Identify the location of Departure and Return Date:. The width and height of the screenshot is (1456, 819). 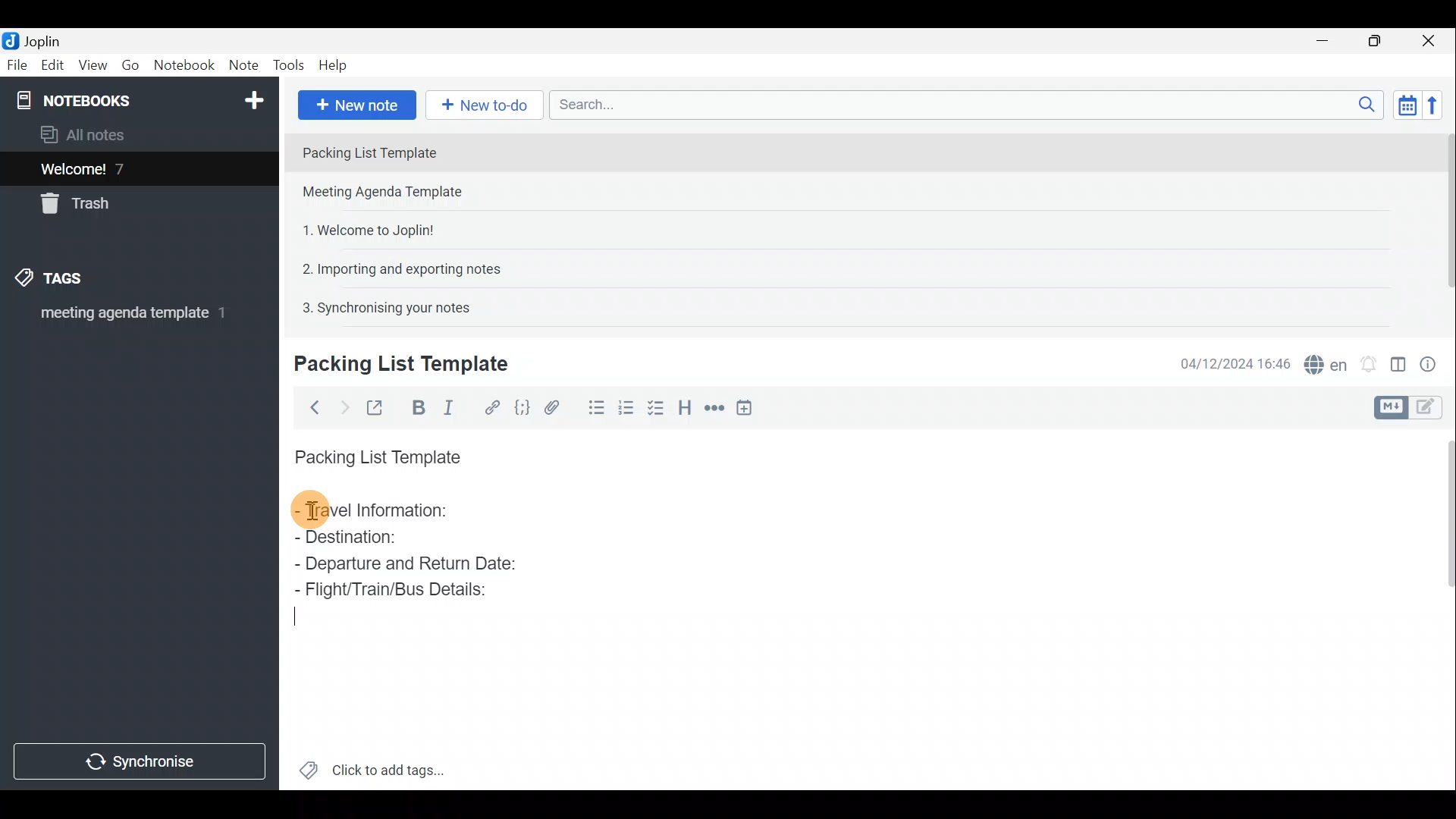
(406, 563).